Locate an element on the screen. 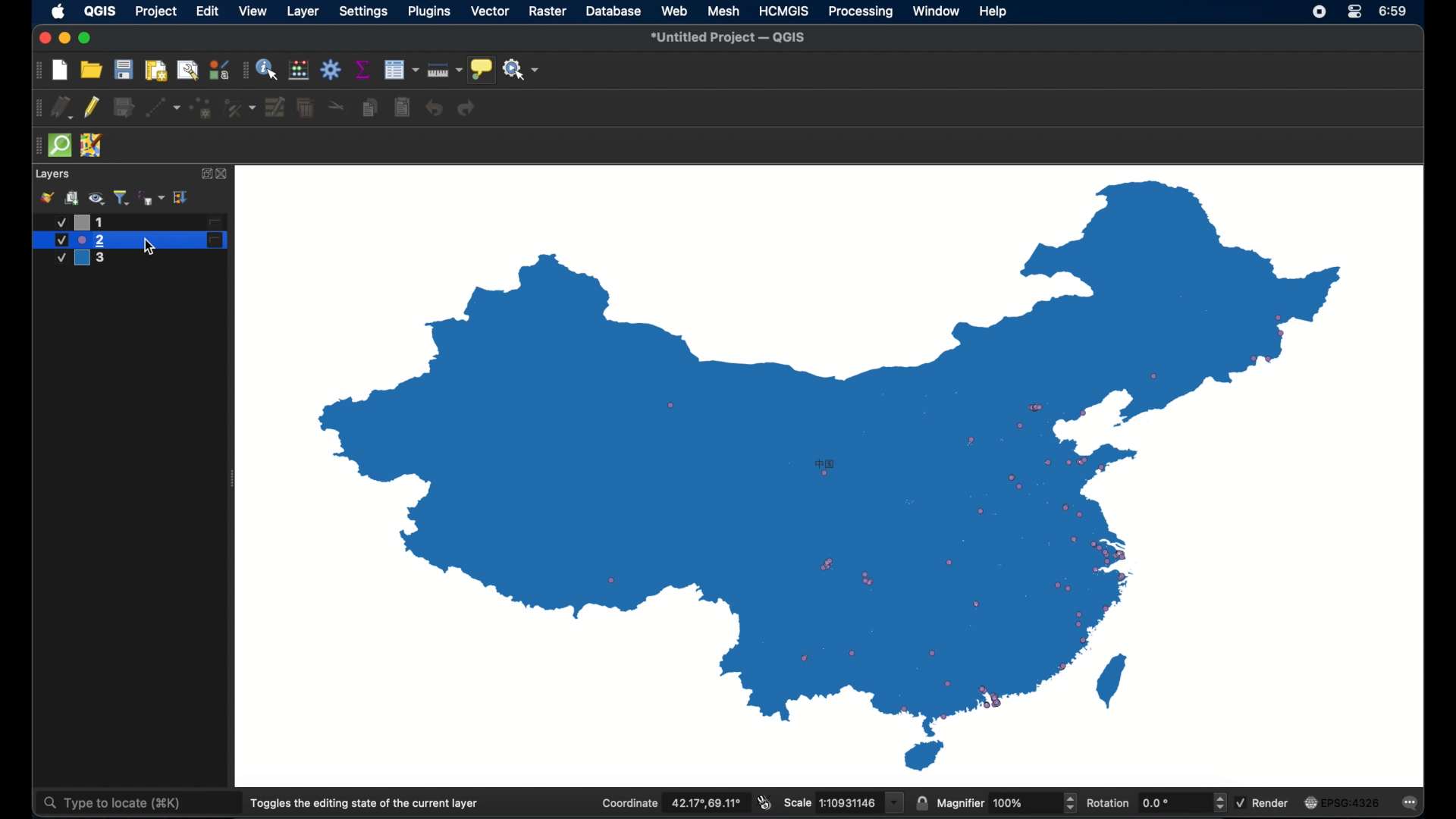  layer  3 is located at coordinates (89, 259).